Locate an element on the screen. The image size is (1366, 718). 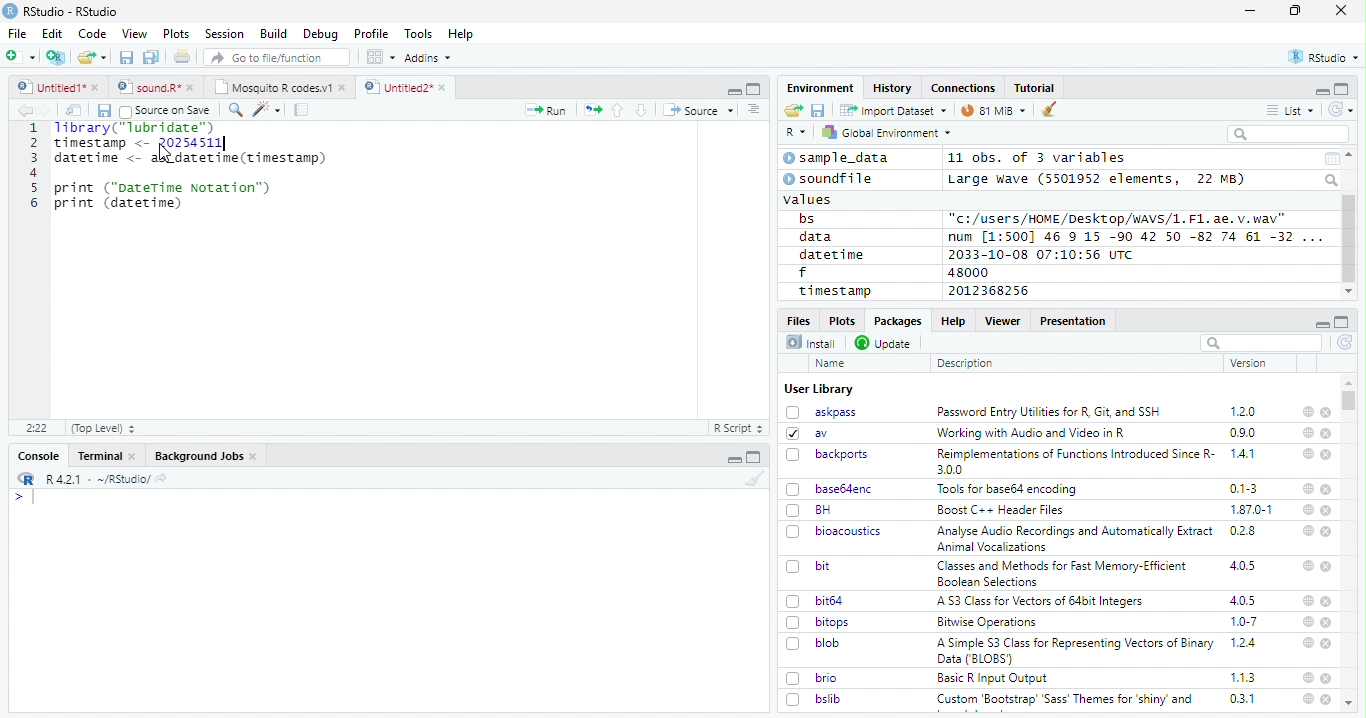
File is located at coordinates (16, 33).